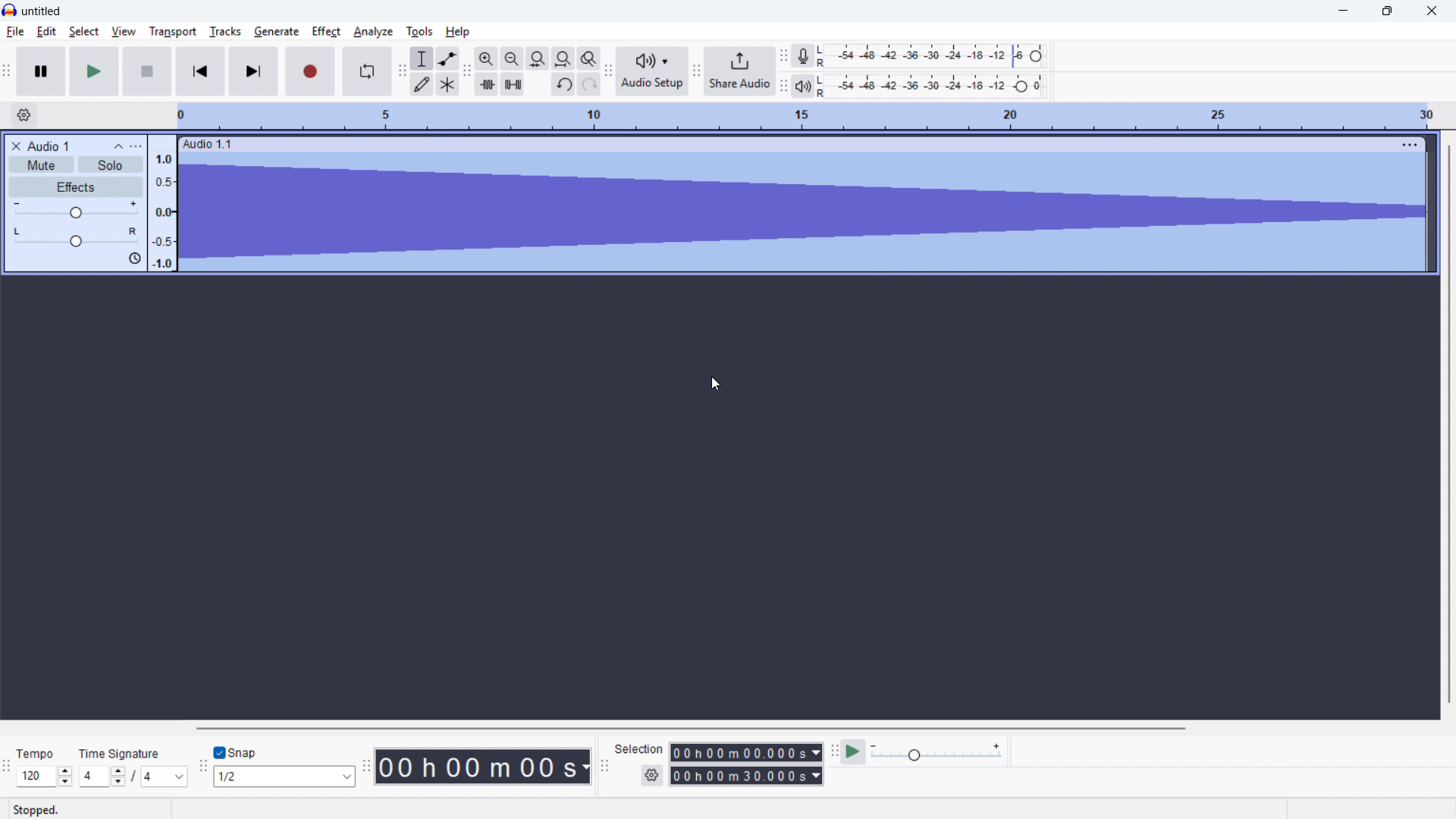 The width and height of the screenshot is (1456, 819). Describe the element at coordinates (224, 31) in the screenshot. I see `Tracks ` at that location.